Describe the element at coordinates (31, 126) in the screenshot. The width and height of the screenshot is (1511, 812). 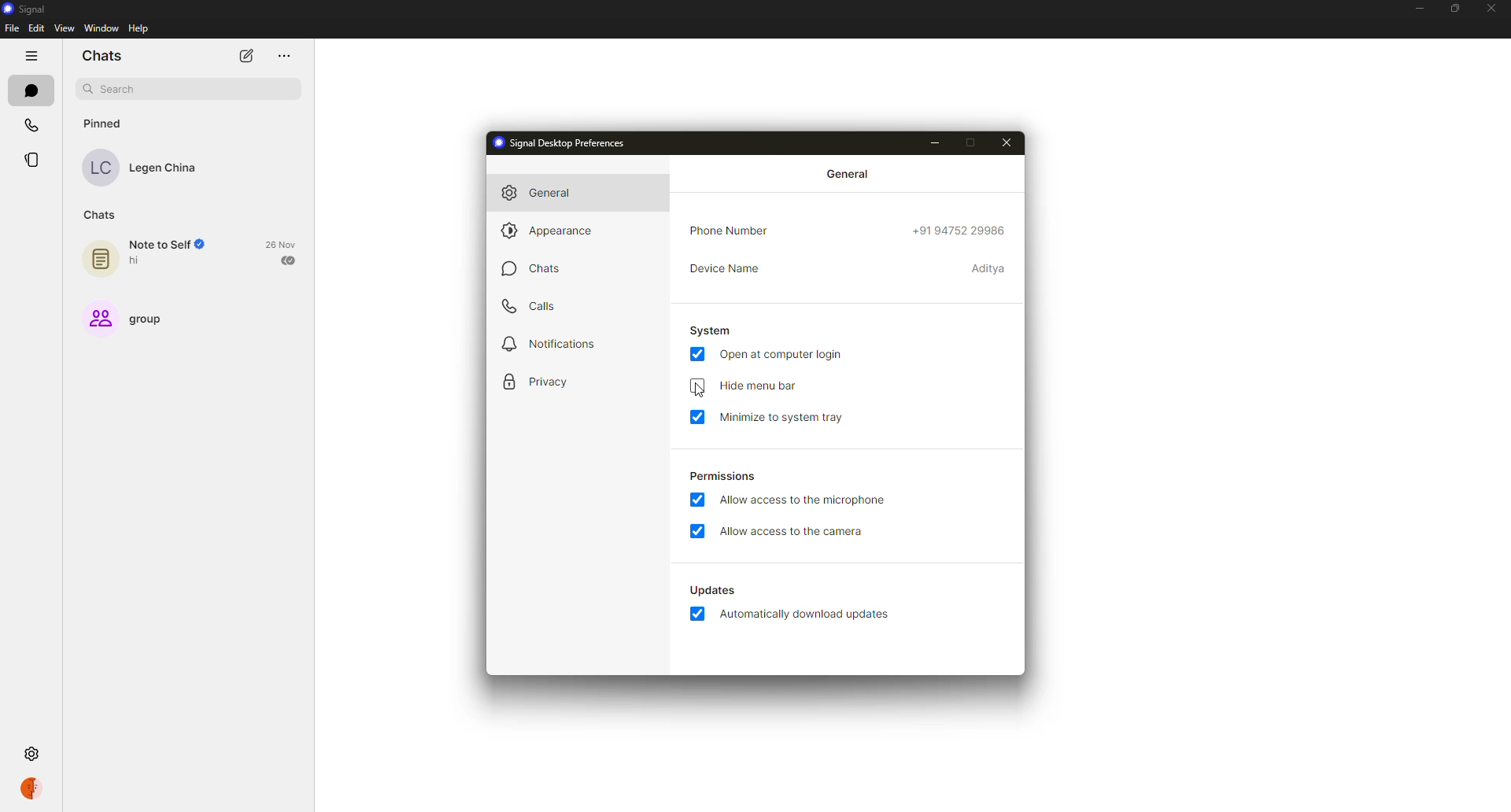
I see `calls` at that location.